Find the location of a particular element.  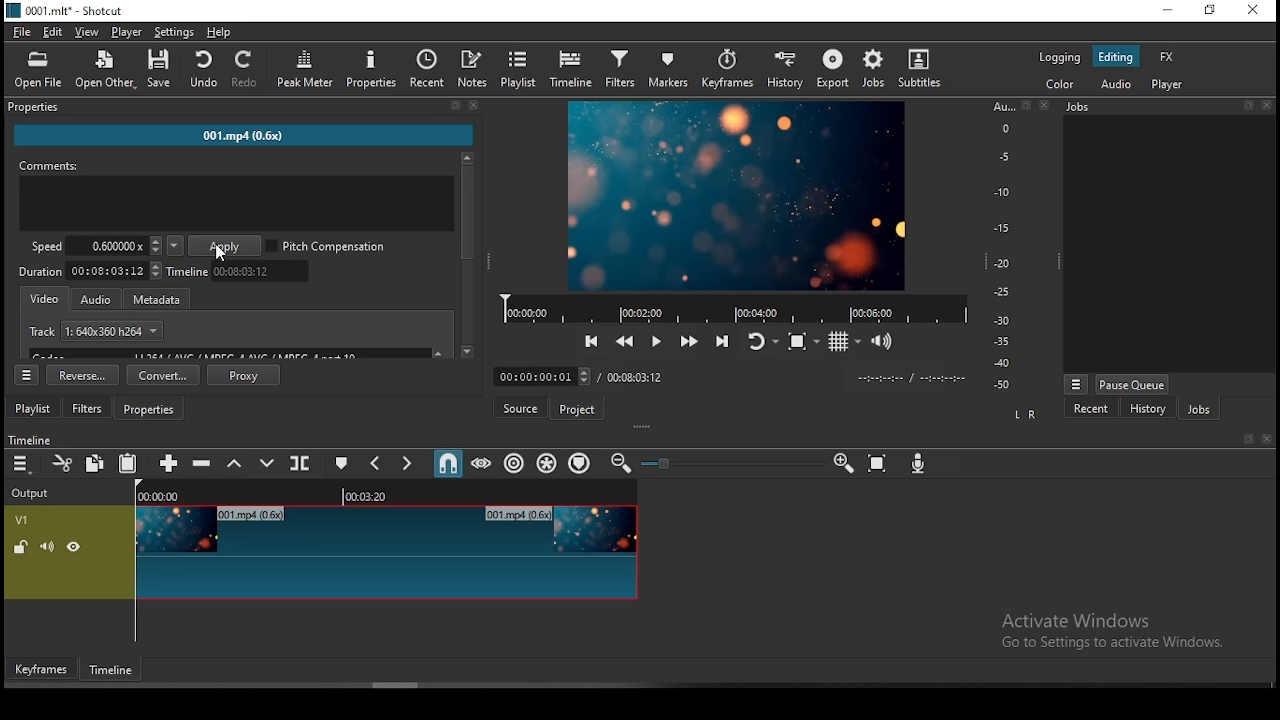

playback time is located at coordinates (727, 307).